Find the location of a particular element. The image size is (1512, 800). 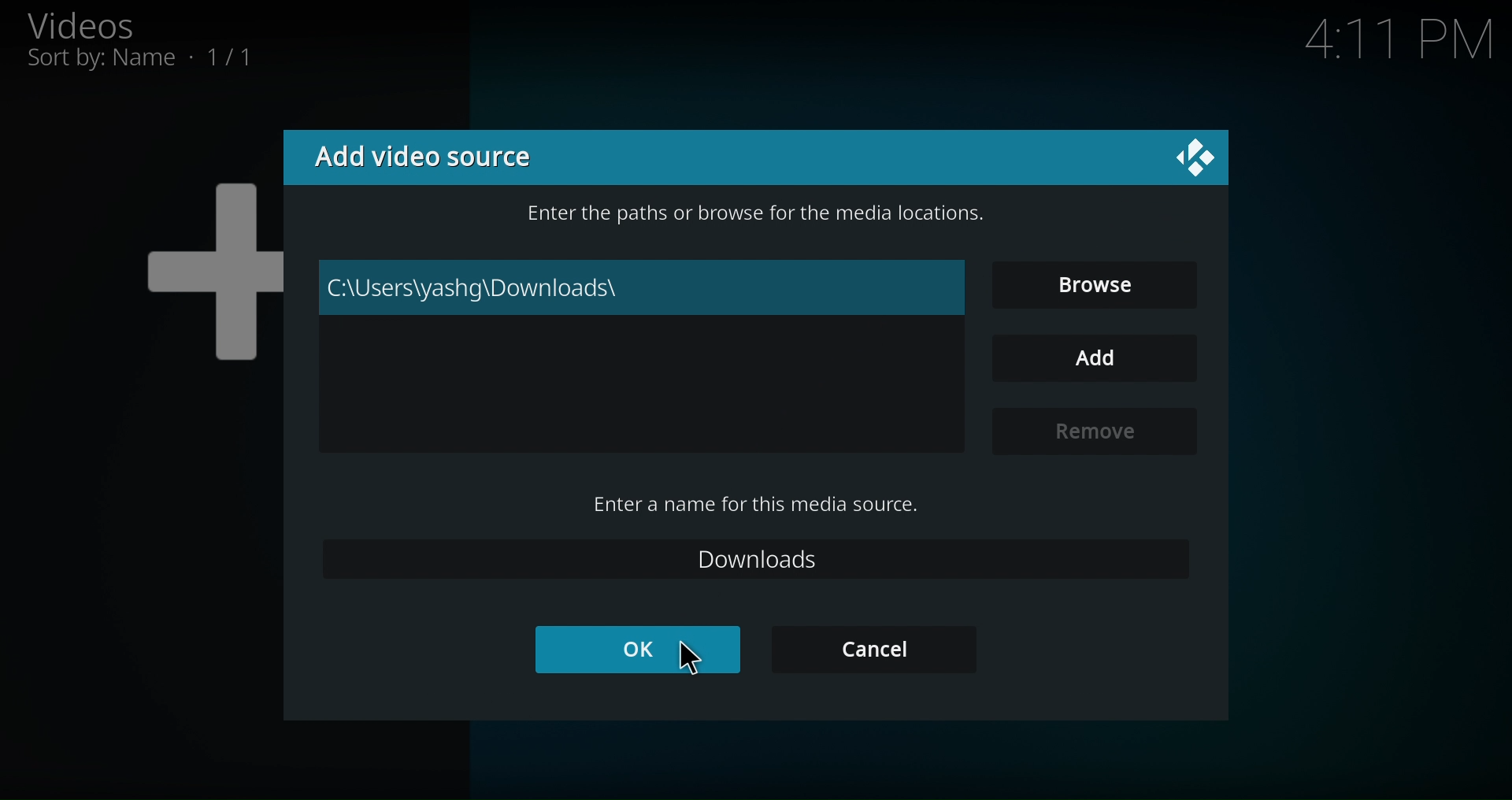

Enter the paths or browser for the media locations. is located at coordinates (758, 212).